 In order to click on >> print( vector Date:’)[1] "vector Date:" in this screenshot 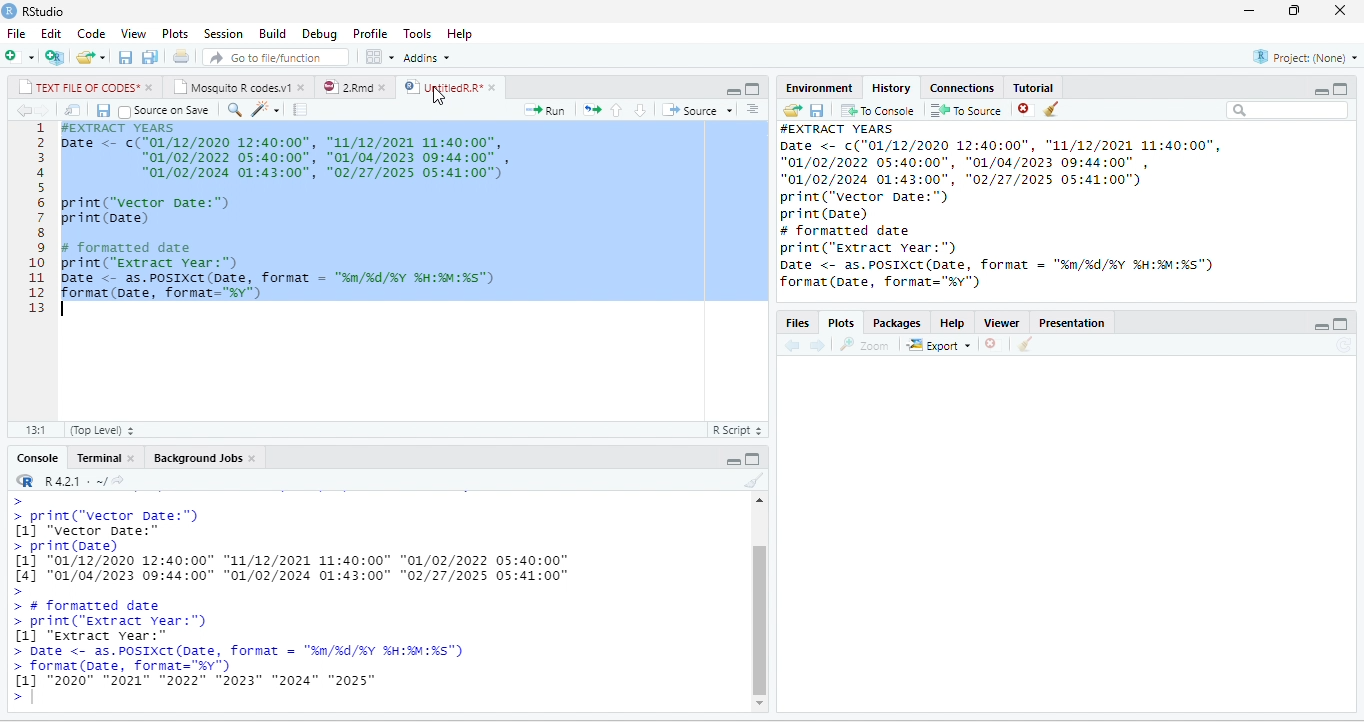, I will do `click(128, 517)`.